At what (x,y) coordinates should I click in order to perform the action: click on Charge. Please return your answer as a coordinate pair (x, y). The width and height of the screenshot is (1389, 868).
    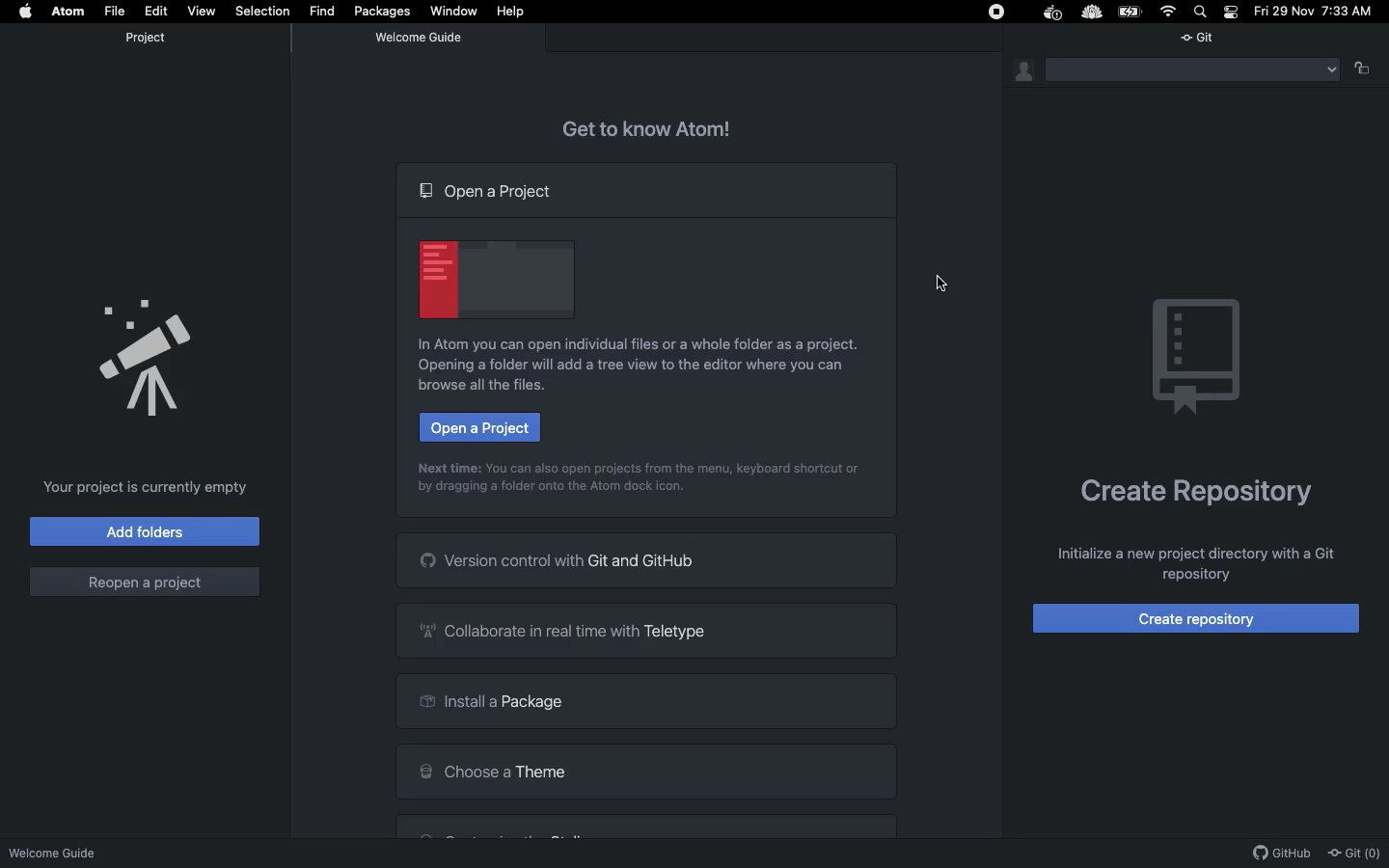
    Looking at the image, I should click on (1130, 13).